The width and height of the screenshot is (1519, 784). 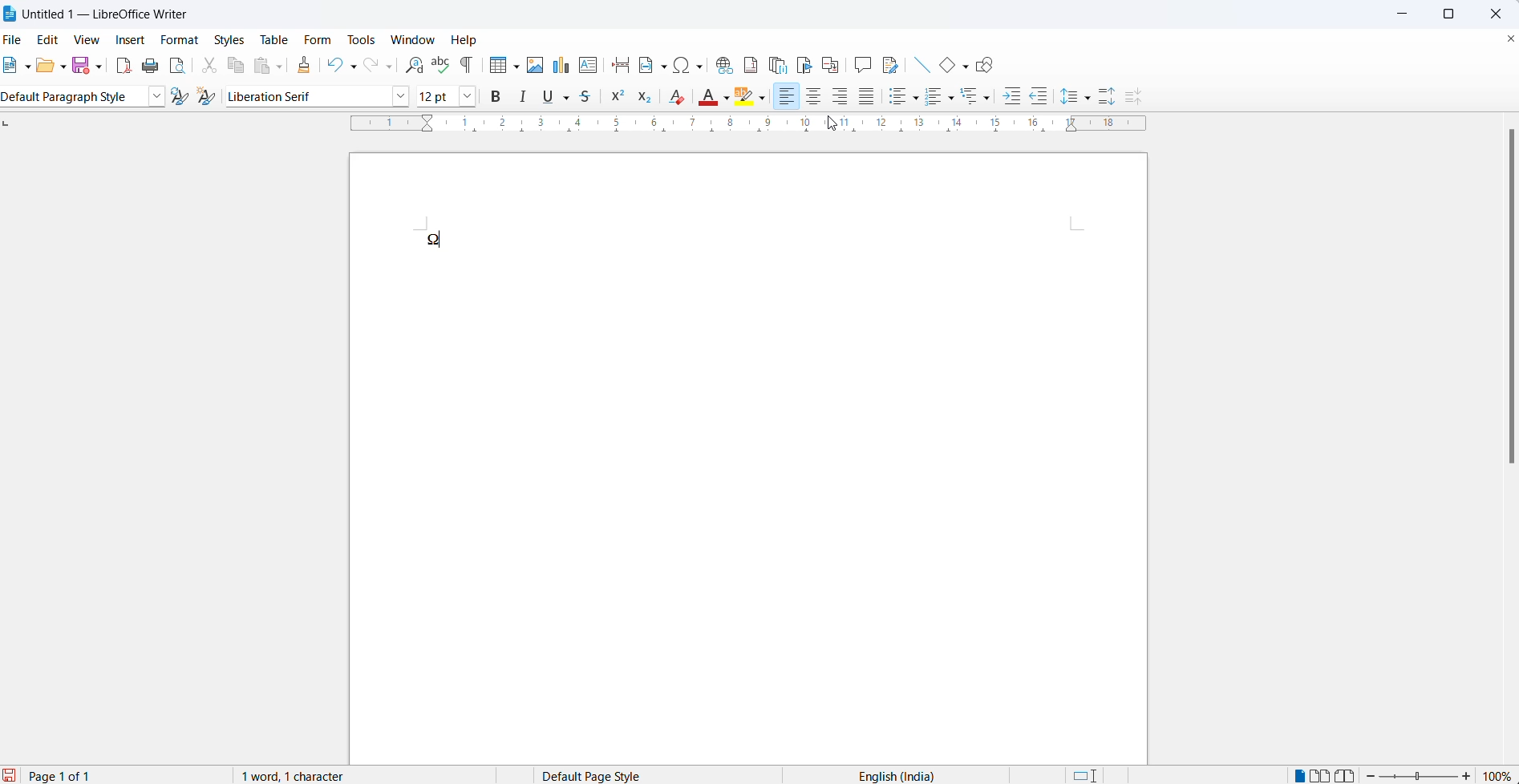 What do you see at coordinates (178, 68) in the screenshot?
I see `print preview` at bounding box center [178, 68].